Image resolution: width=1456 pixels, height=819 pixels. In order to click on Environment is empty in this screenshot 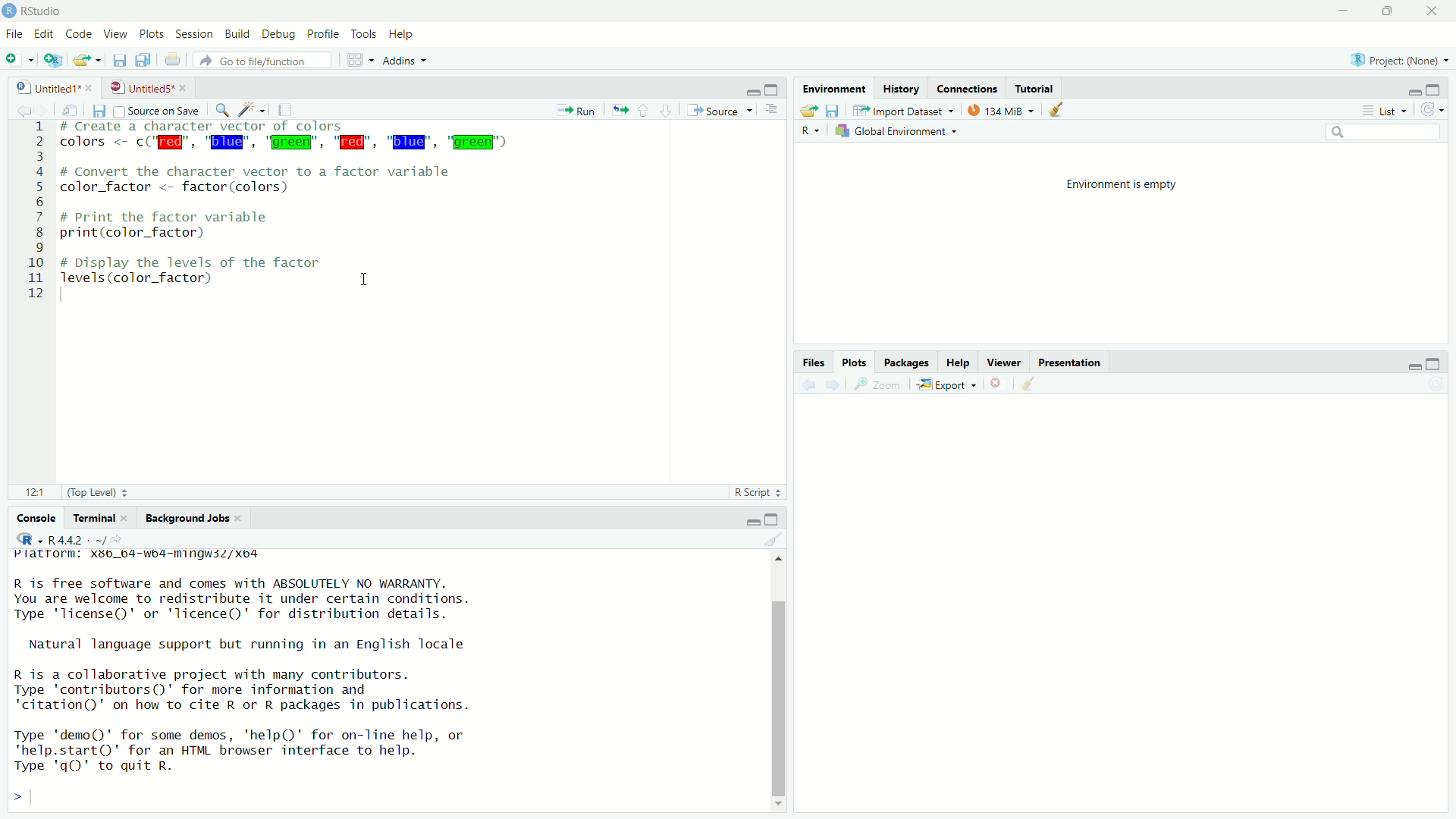, I will do `click(1122, 183)`.